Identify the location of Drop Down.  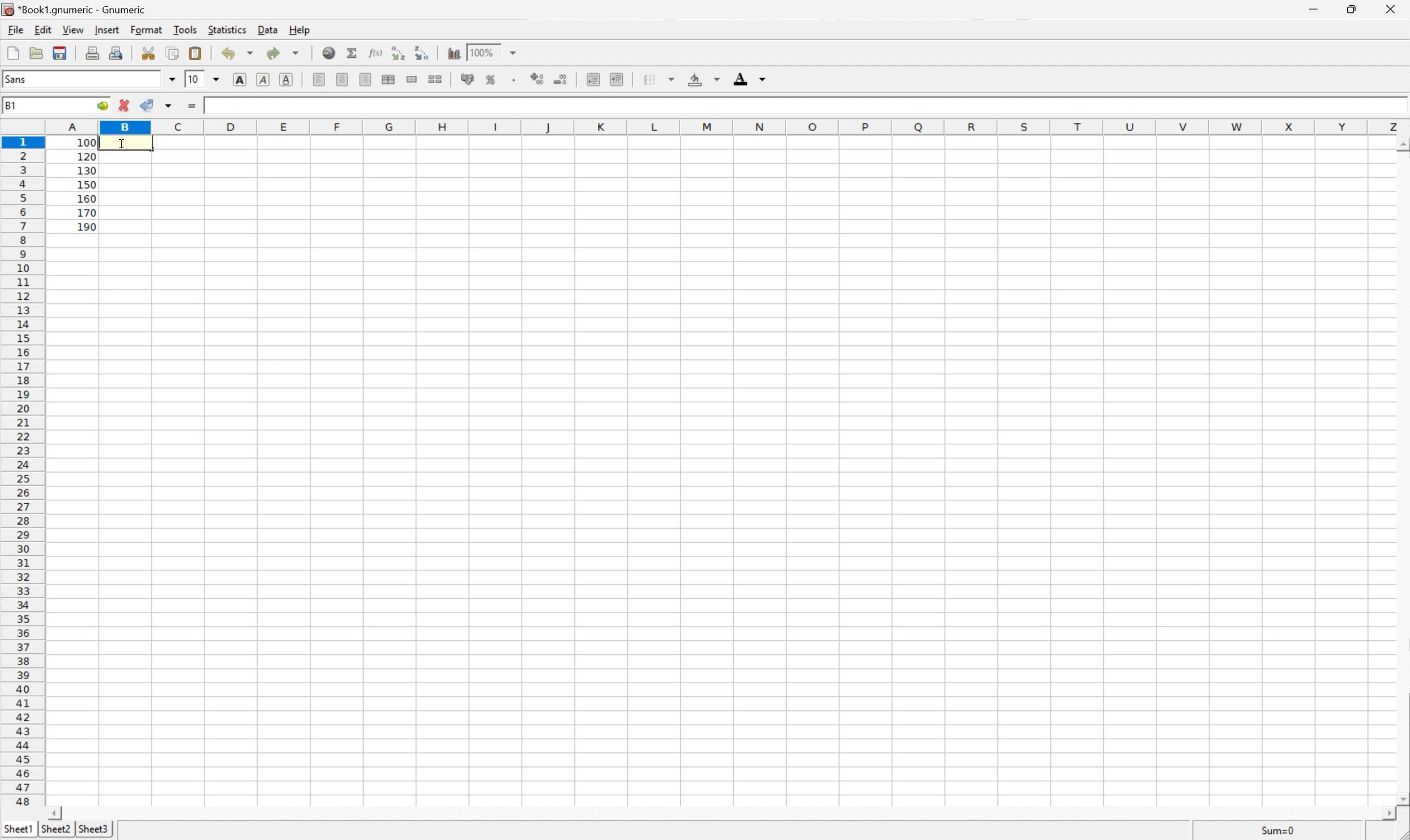
(218, 79).